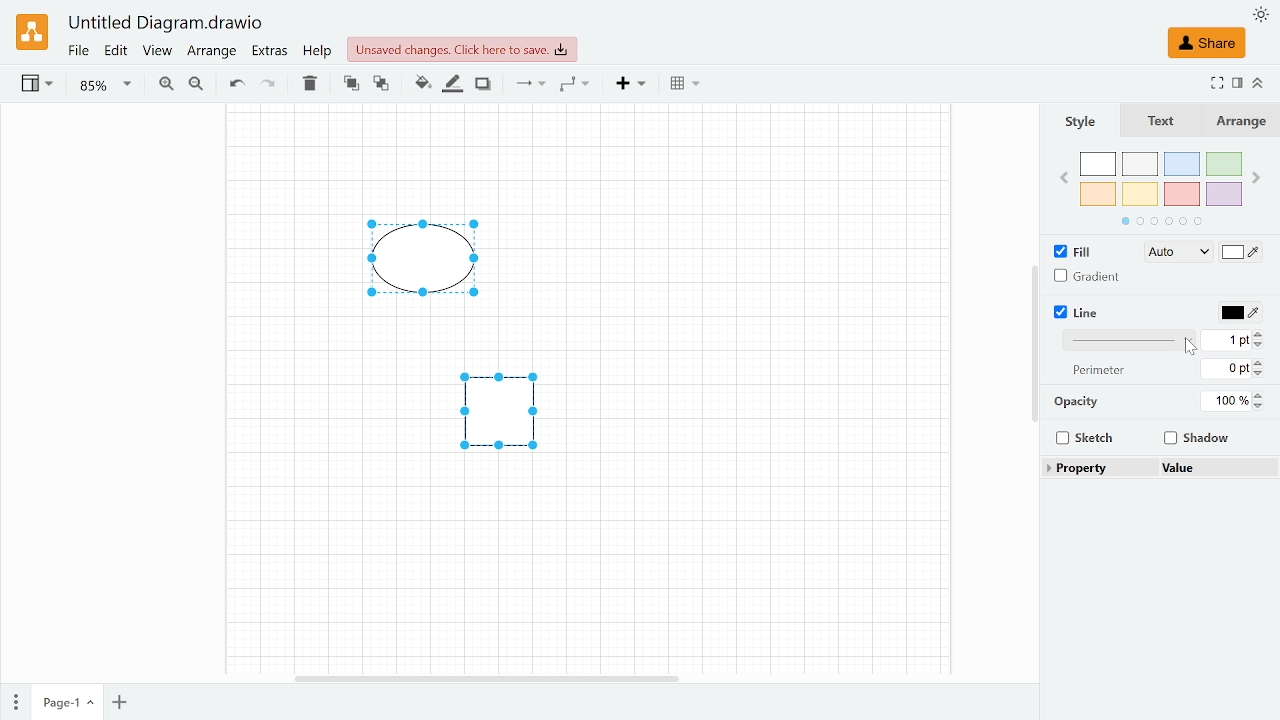 This screenshot has width=1280, height=720. Describe the element at coordinates (1242, 254) in the screenshot. I see `Fill color` at that location.